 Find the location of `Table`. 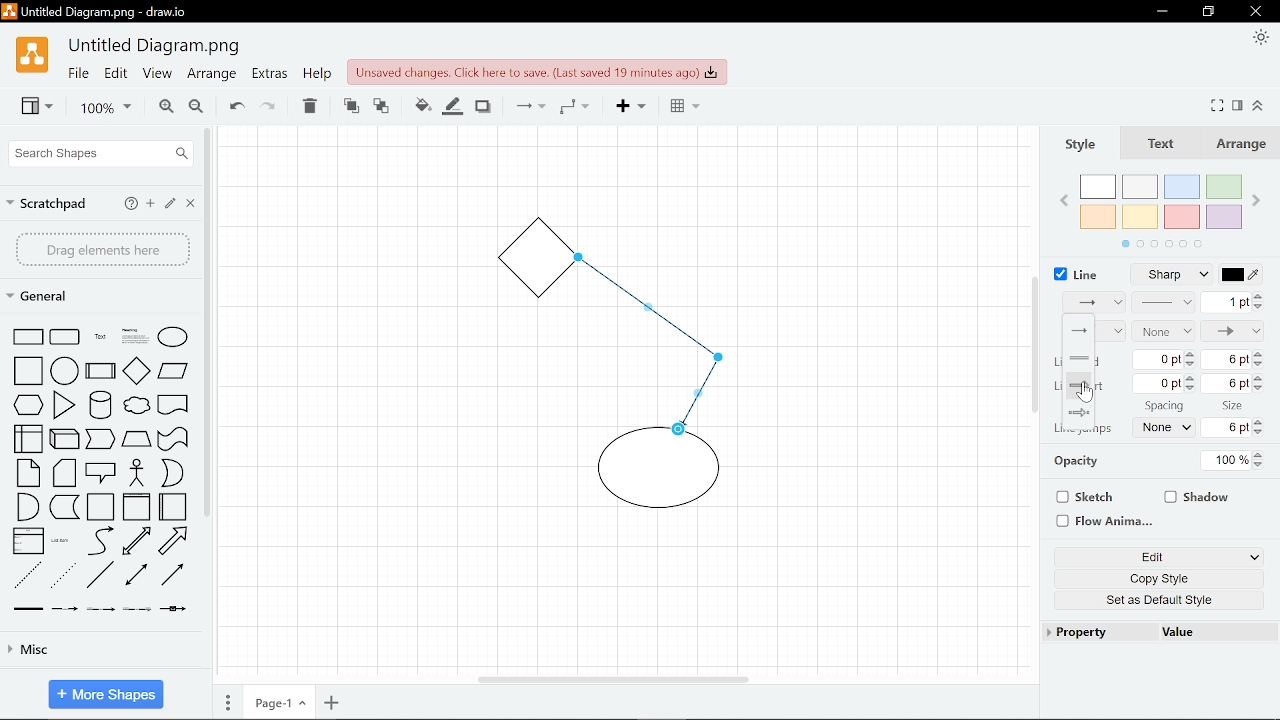

Table is located at coordinates (680, 108).